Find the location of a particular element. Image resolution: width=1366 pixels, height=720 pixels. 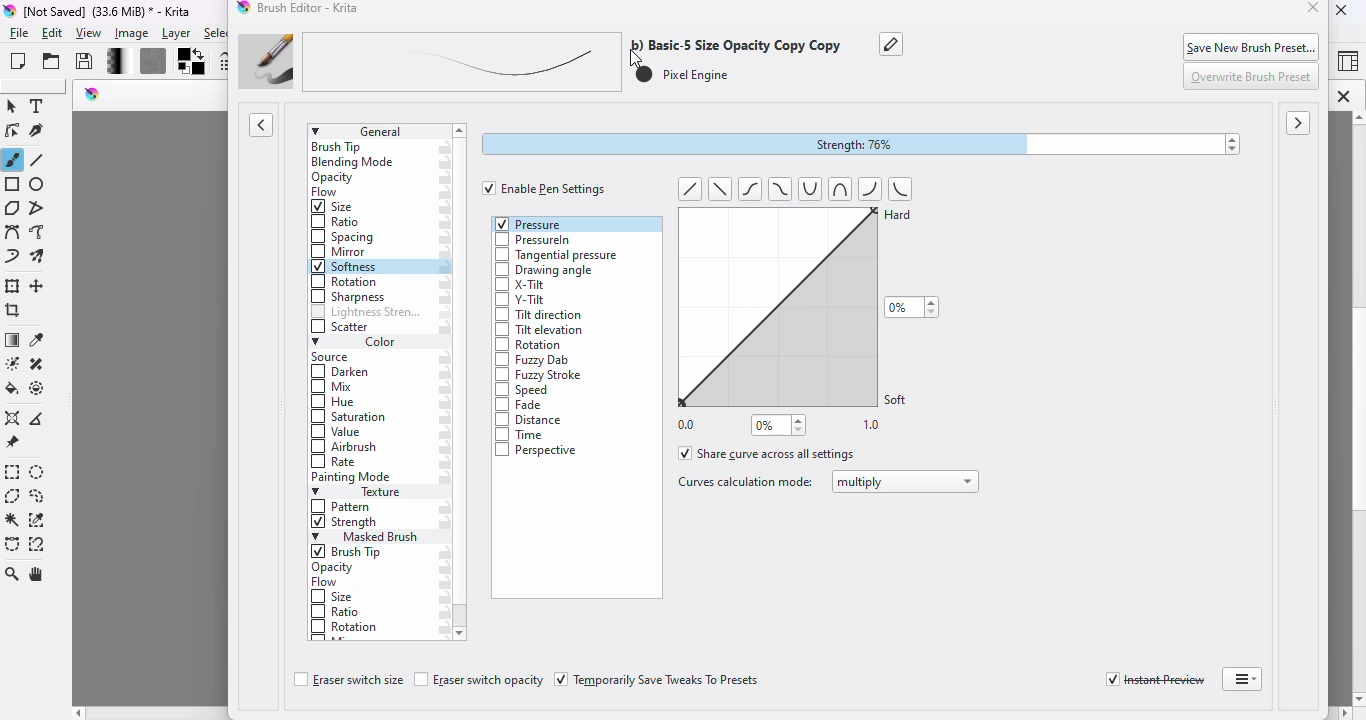

strength is located at coordinates (345, 524).